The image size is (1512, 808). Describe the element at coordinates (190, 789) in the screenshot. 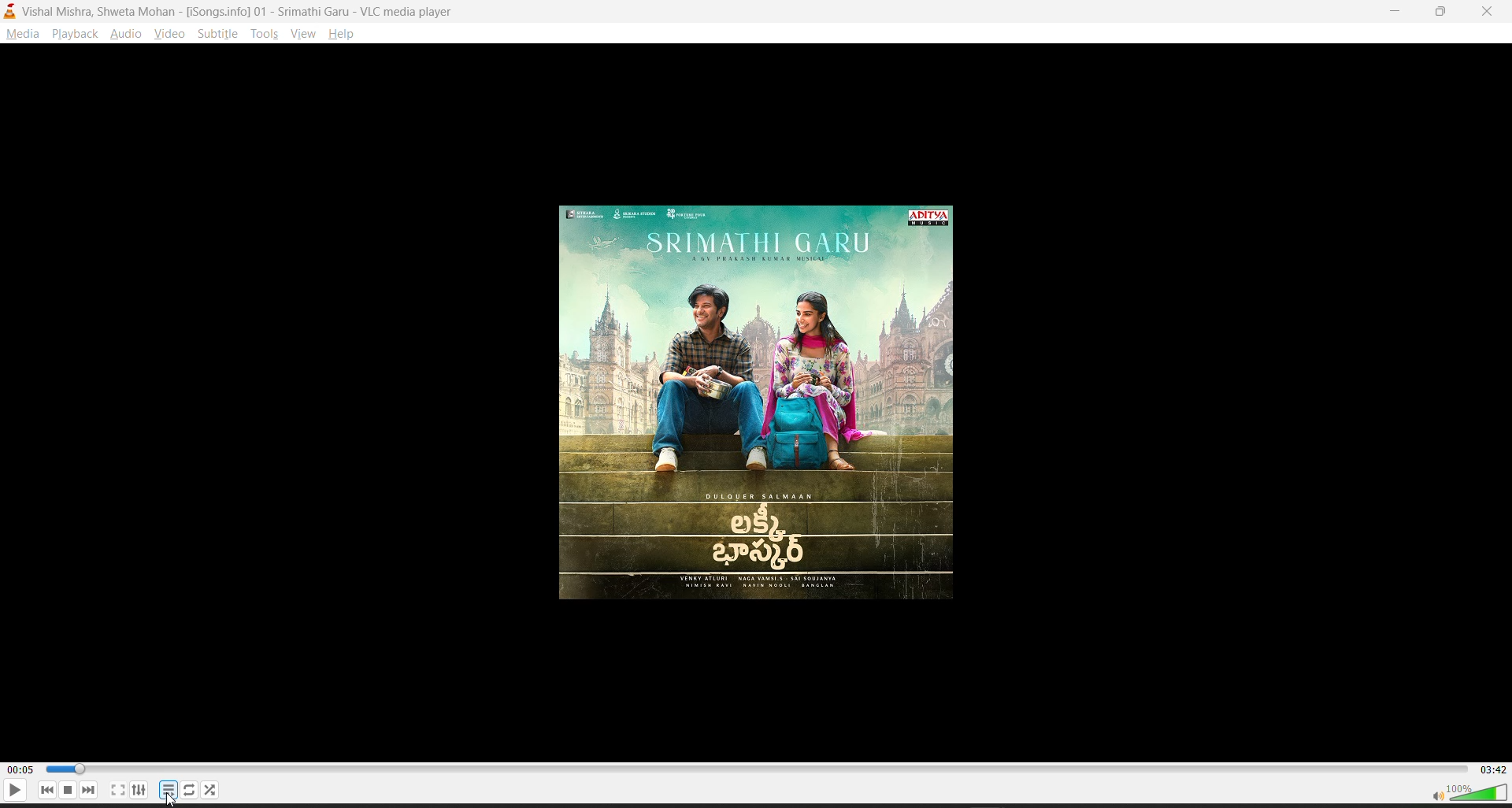

I see `playlist` at that location.